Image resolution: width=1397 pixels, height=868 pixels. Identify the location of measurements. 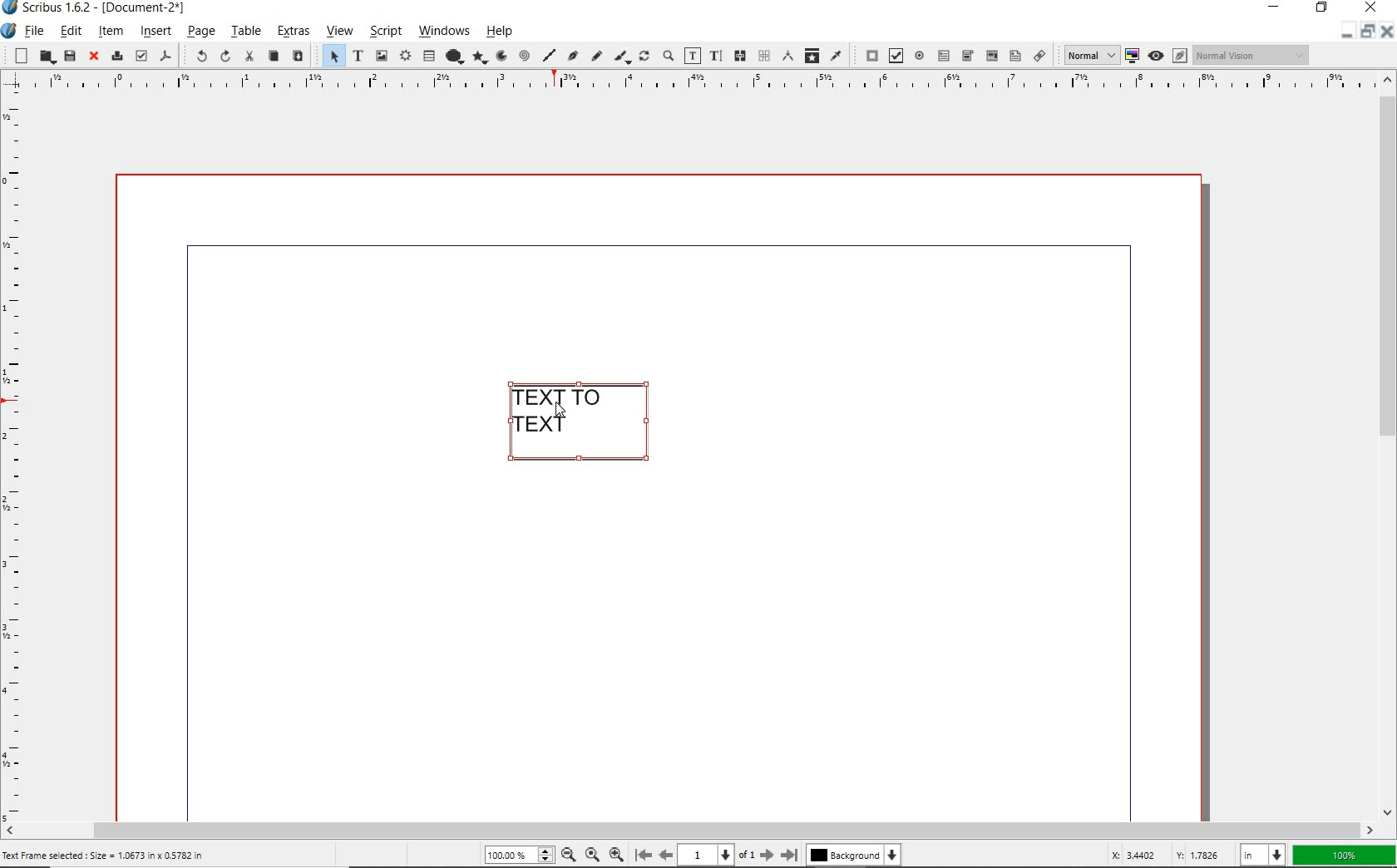
(788, 57).